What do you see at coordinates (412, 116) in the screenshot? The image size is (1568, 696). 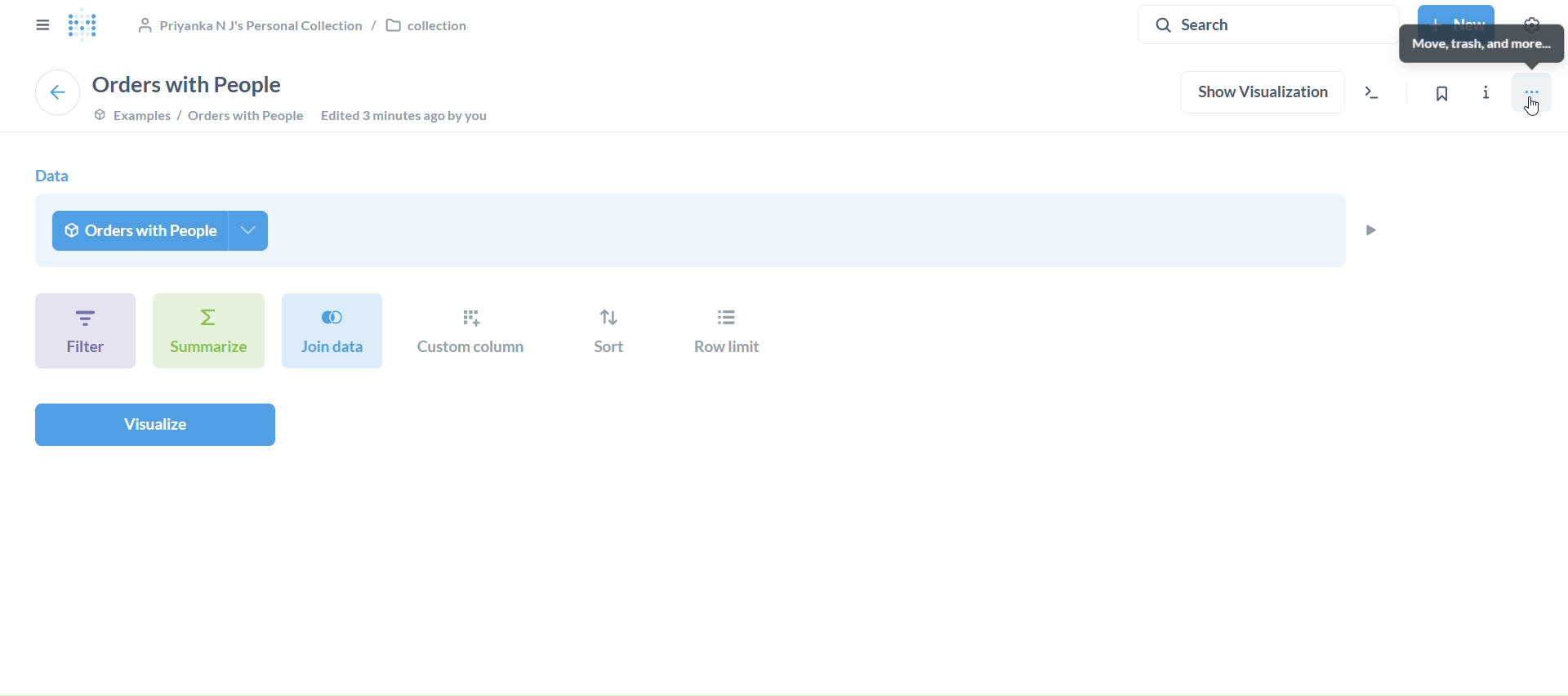 I see `edited 3 minutes ago by you` at bounding box center [412, 116].